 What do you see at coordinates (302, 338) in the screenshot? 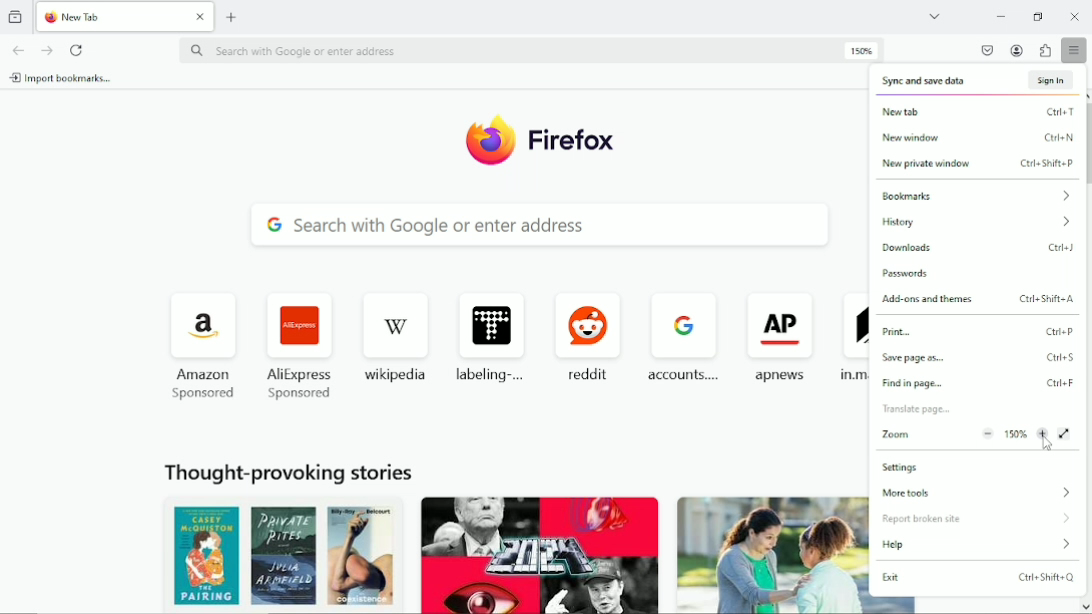
I see `AliExpress` at bounding box center [302, 338].